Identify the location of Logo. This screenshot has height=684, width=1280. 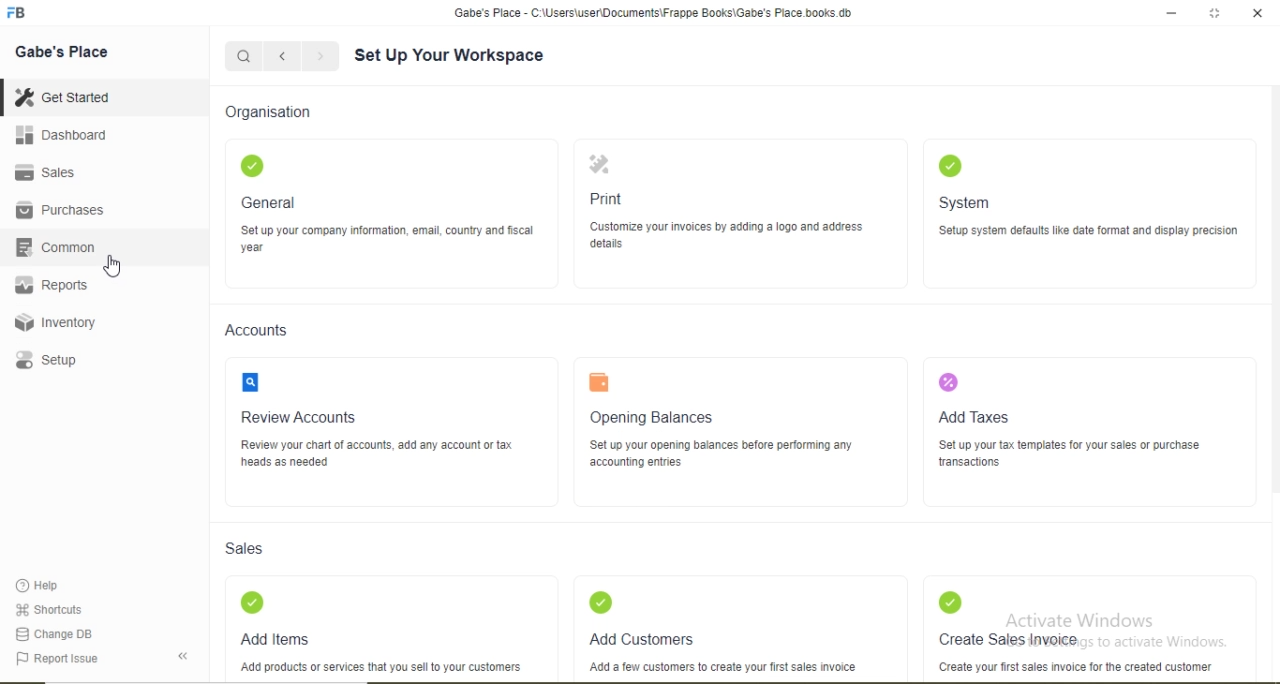
(950, 601).